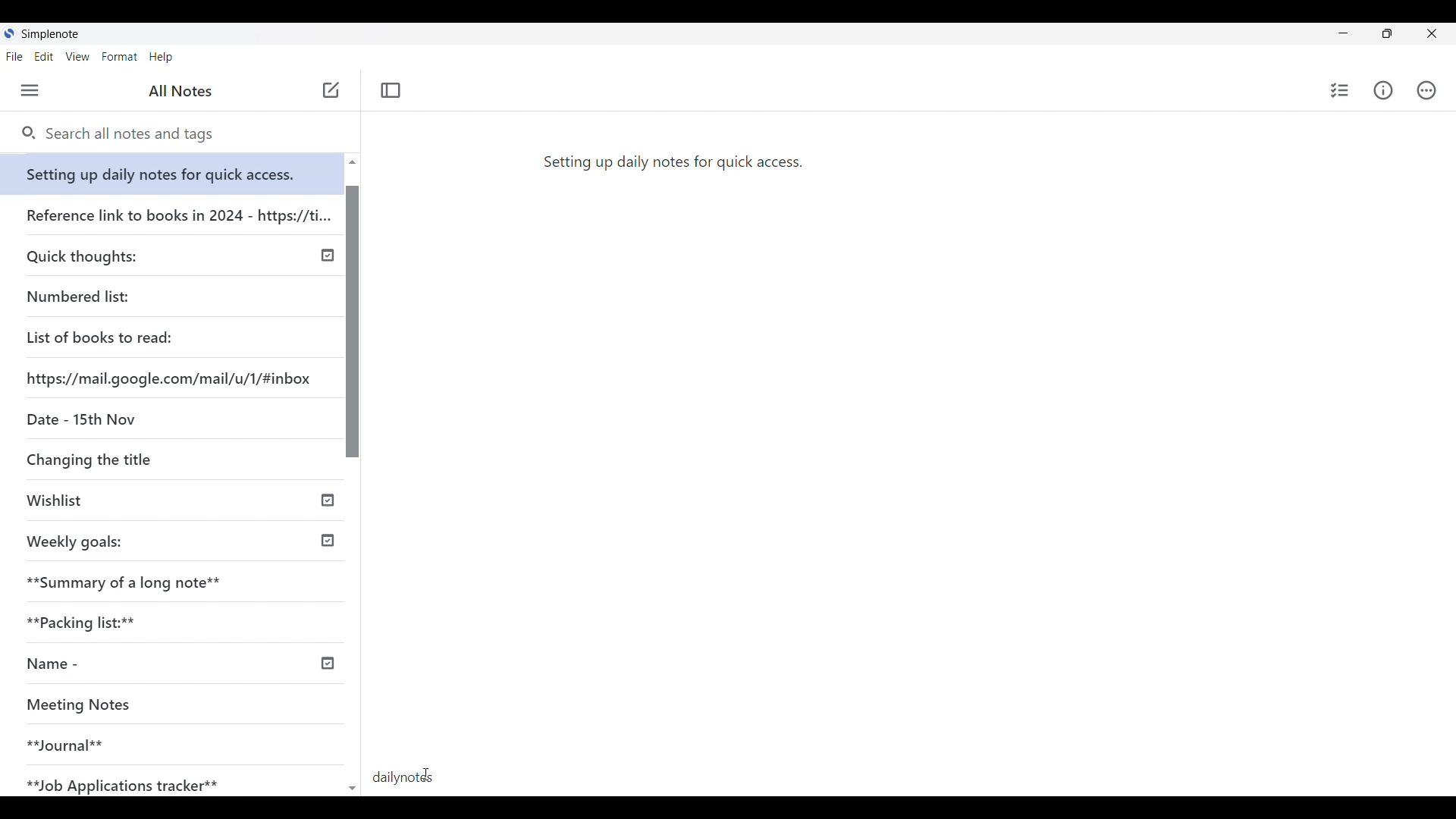 This screenshot has width=1456, height=819. I want to click on Quick slide to top, so click(352, 162).